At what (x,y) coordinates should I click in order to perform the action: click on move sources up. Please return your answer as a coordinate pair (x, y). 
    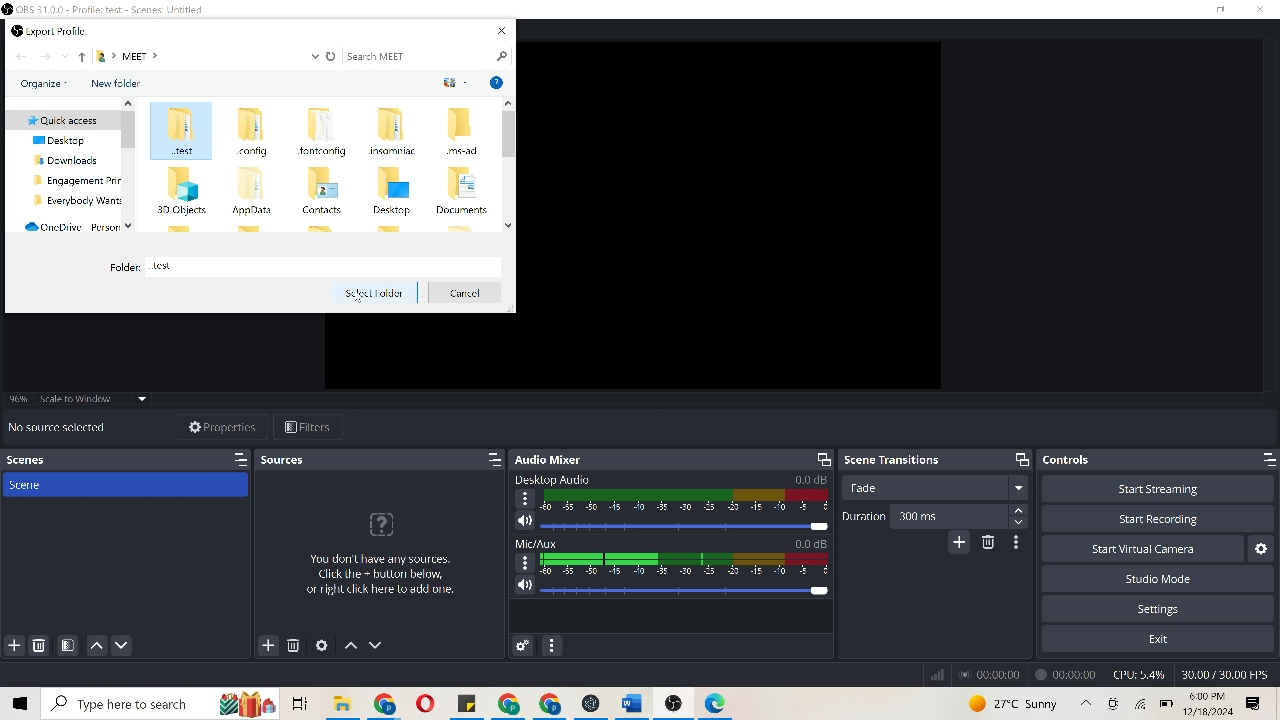
    Looking at the image, I should click on (350, 647).